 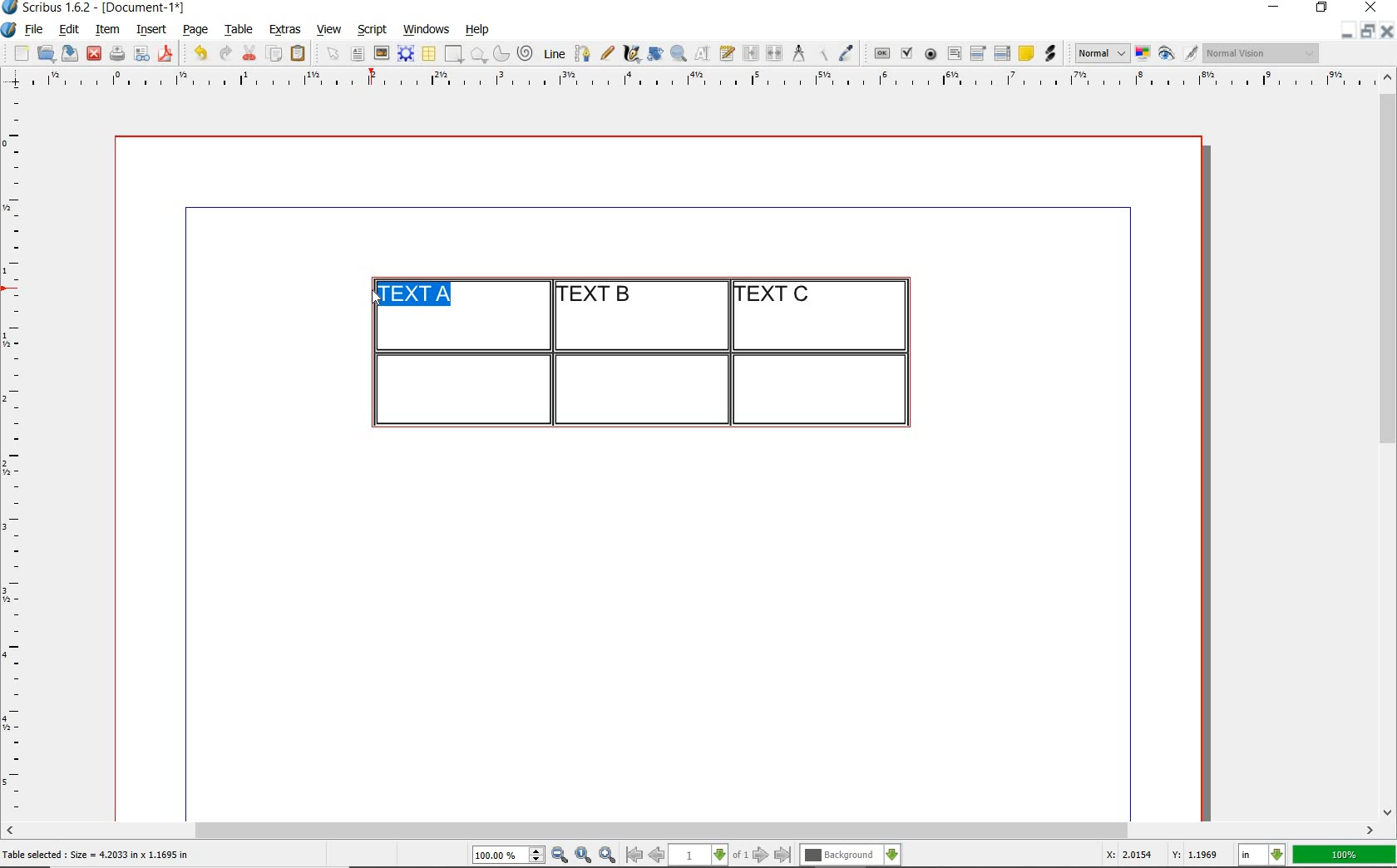 What do you see at coordinates (846, 55) in the screenshot?
I see `eye dropper` at bounding box center [846, 55].